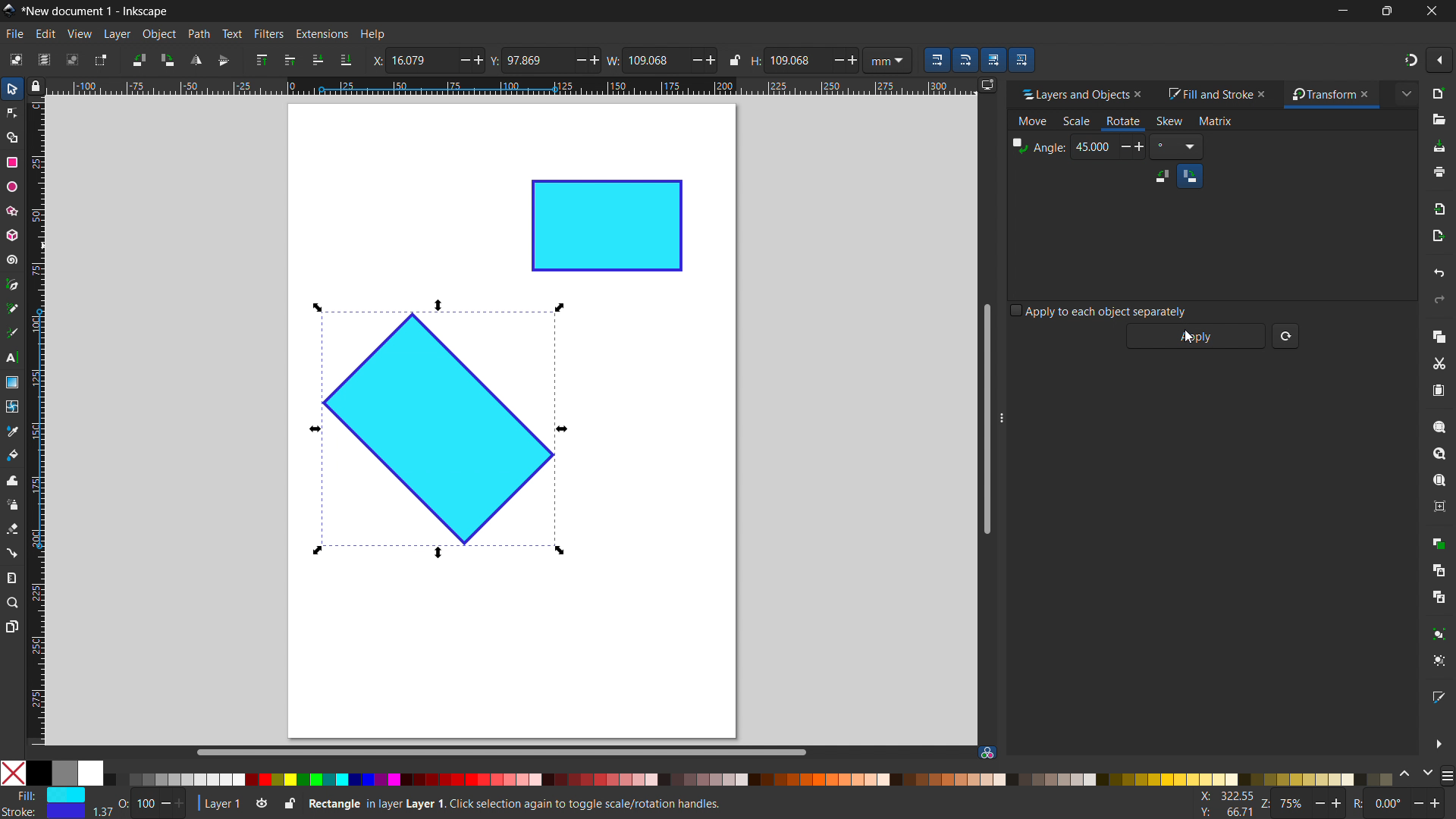 The height and width of the screenshot is (819, 1456). Describe the element at coordinates (1401, 805) in the screenshot. I see `R: 0.00` at that location.